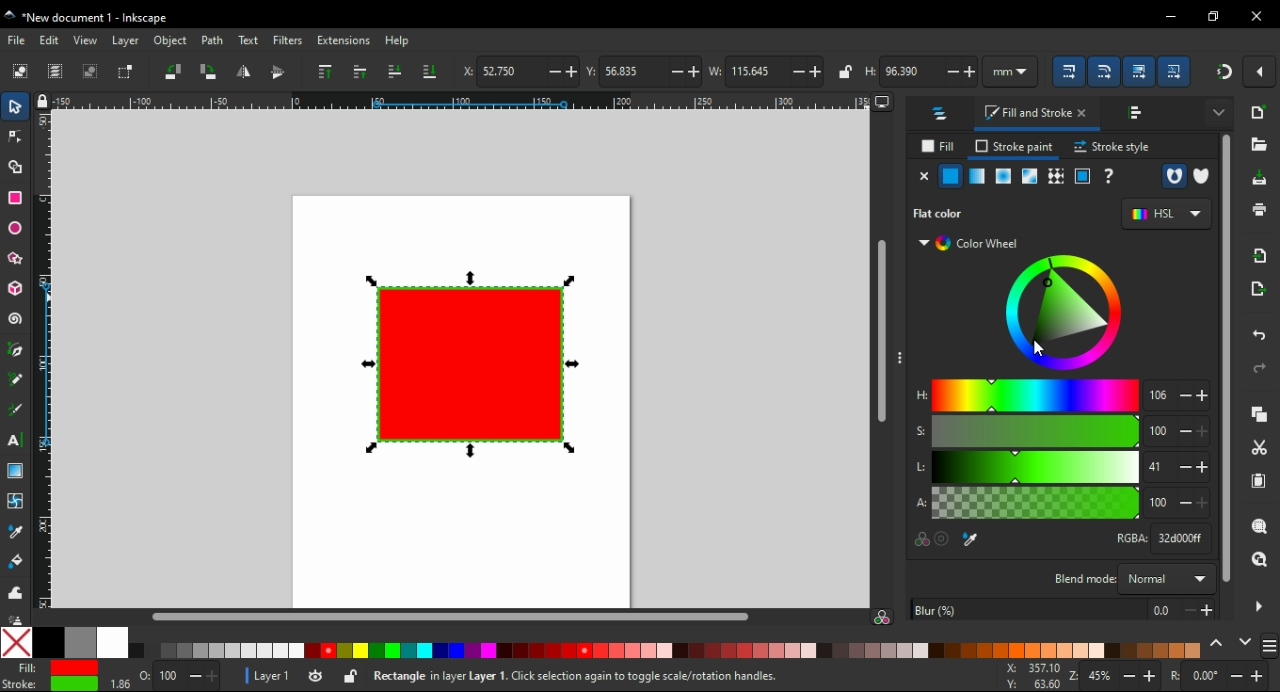 This screenshot has height=692, width=1280. I want to click on zoom in/zoom out, so click(1072, 676).